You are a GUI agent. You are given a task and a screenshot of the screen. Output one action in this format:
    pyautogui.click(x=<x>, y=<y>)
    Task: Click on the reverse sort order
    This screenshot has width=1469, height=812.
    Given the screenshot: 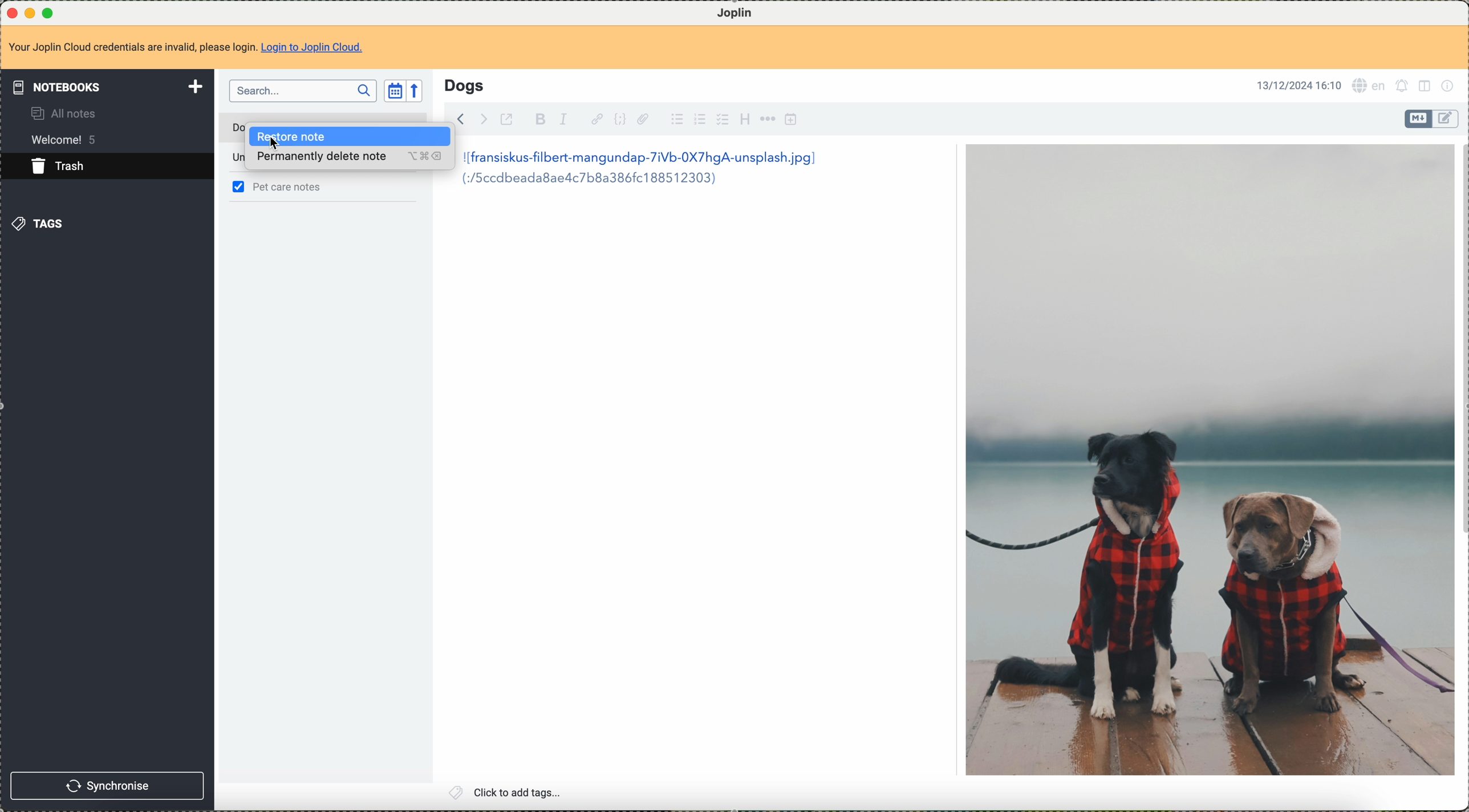 What is the action you would take?
    pyautogui.click(x=420, y=91)
    